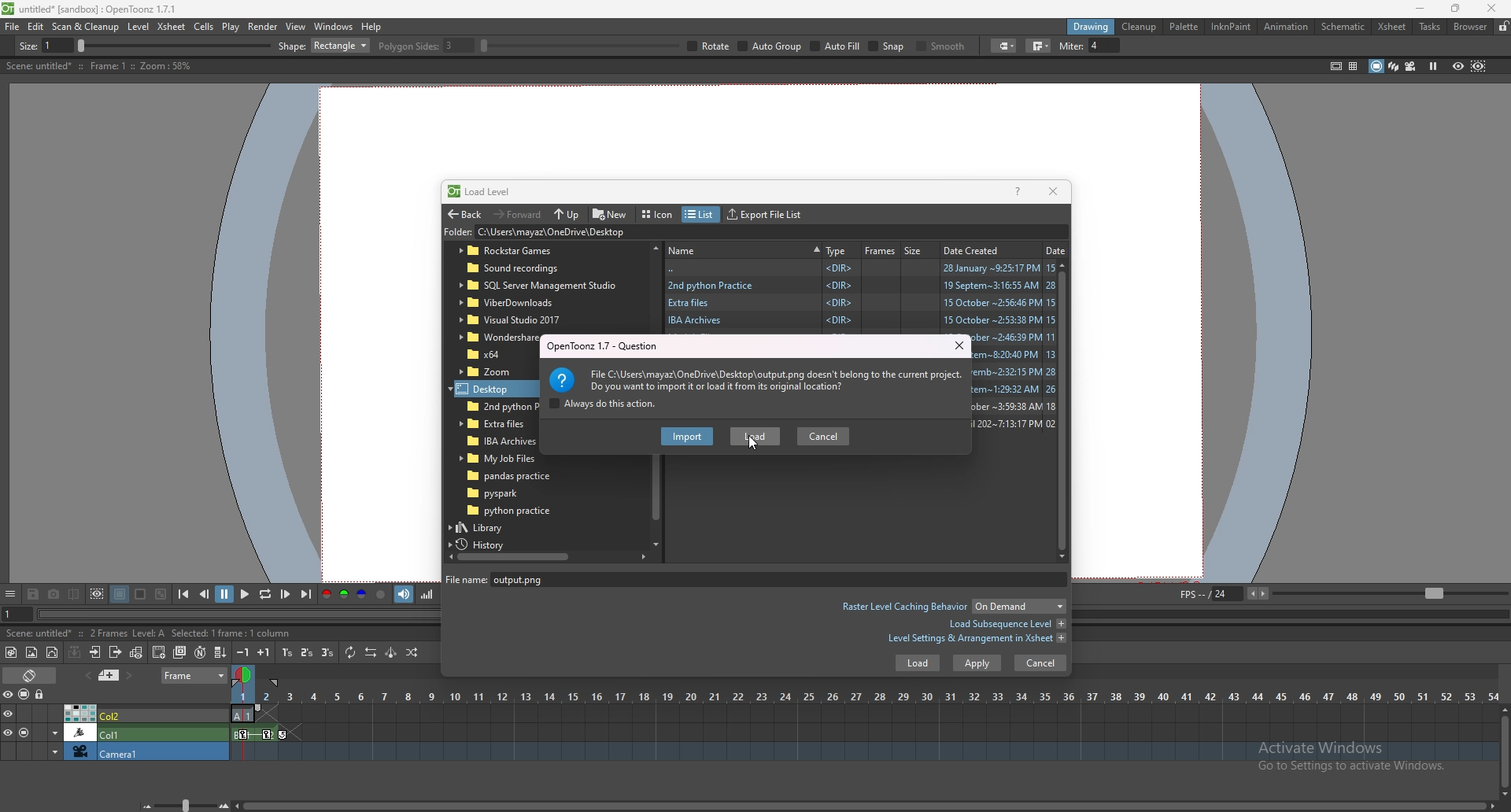 This screenshot has height=812, width=1511. Describe the element at coordinates (231, 27) in the screenshot. I see `play` at that location.